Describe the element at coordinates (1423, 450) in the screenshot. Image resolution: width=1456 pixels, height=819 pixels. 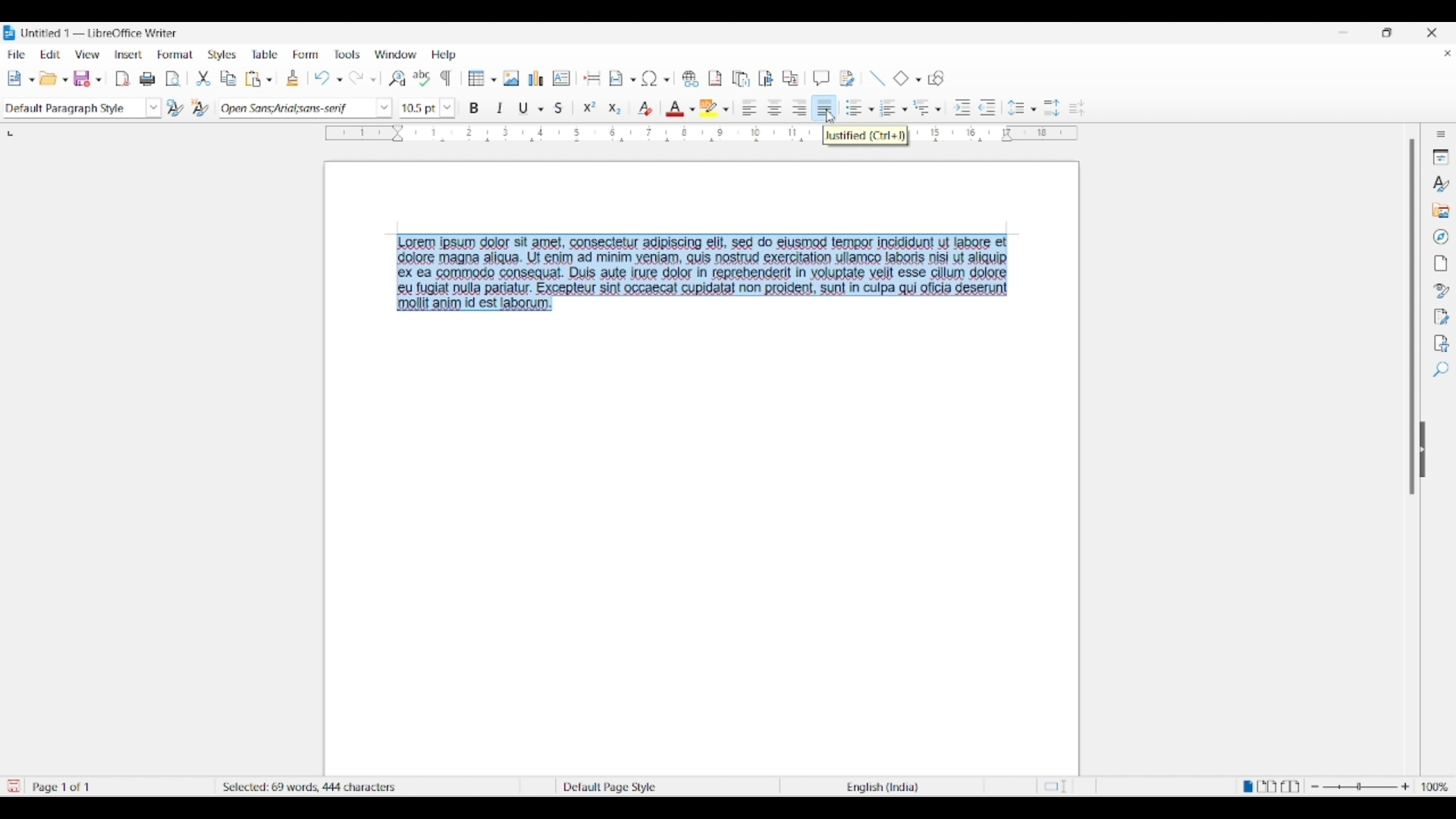
I see `Hide right sidebar` at that location.